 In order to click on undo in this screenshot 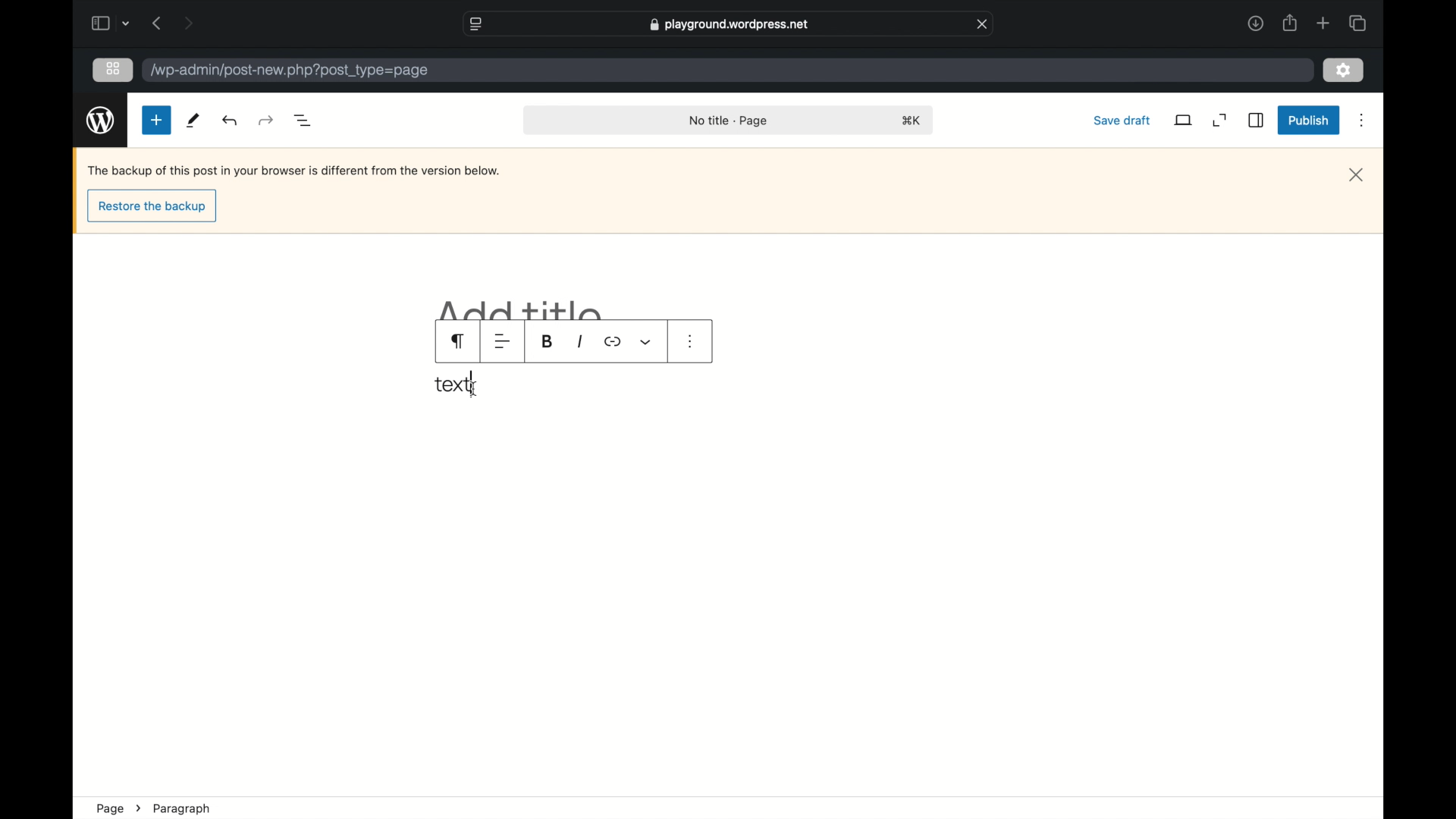, I will do `click(267, 120)`.